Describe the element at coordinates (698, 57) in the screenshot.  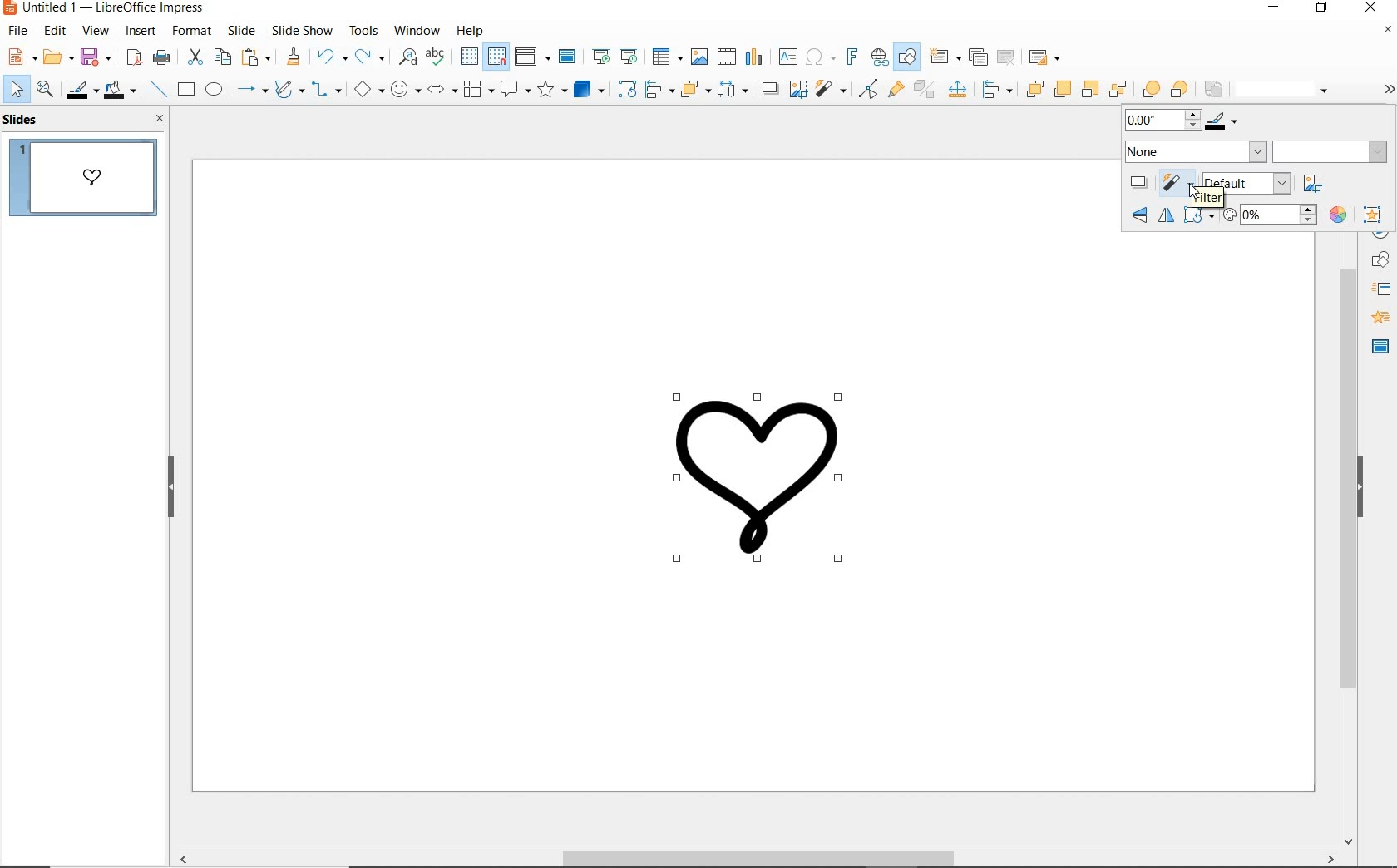
I see `insert image` at that location.